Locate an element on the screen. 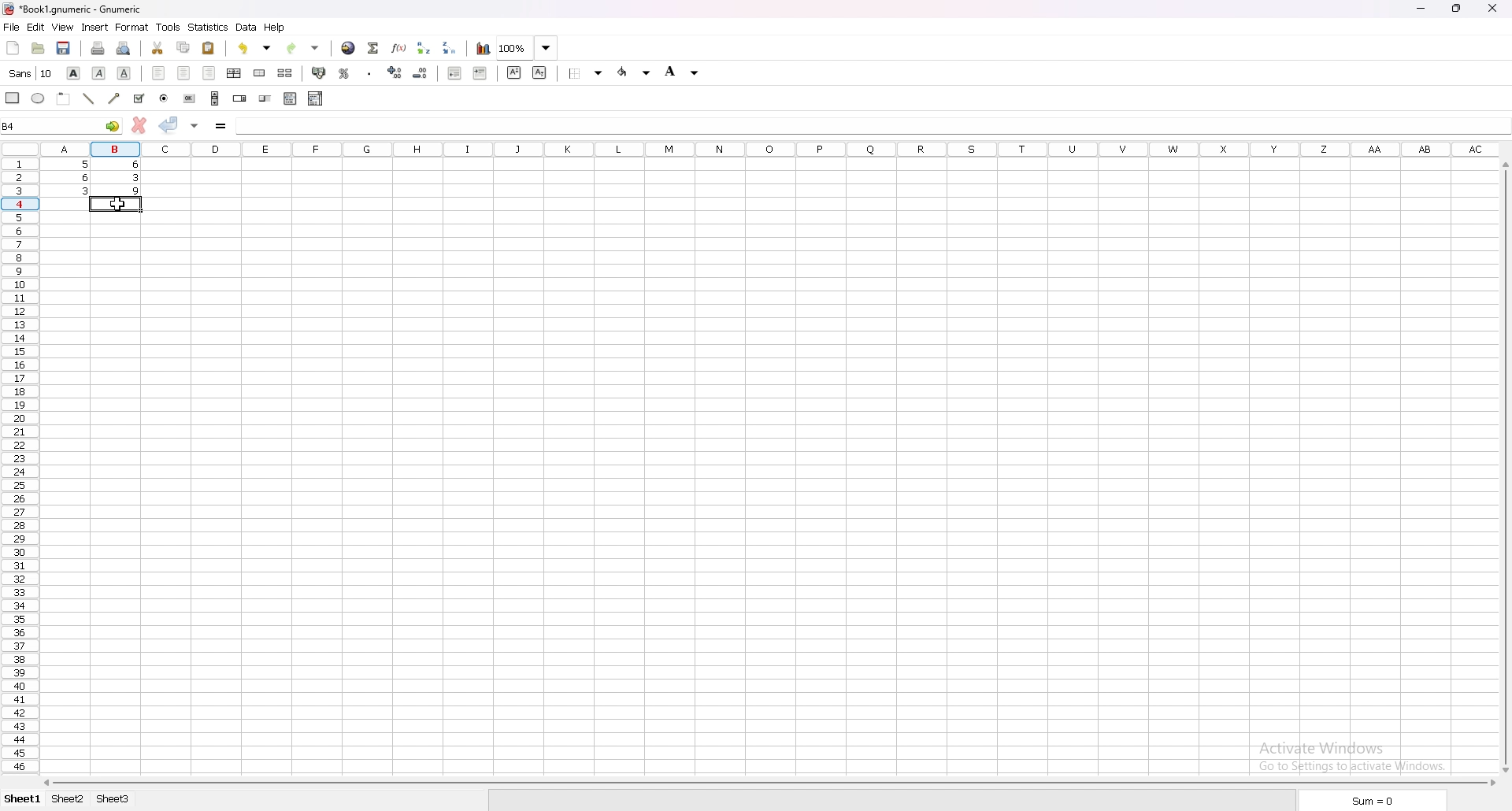 The width and height of the screenshot is (1512, 811). new is located at coordinates (13, 47).